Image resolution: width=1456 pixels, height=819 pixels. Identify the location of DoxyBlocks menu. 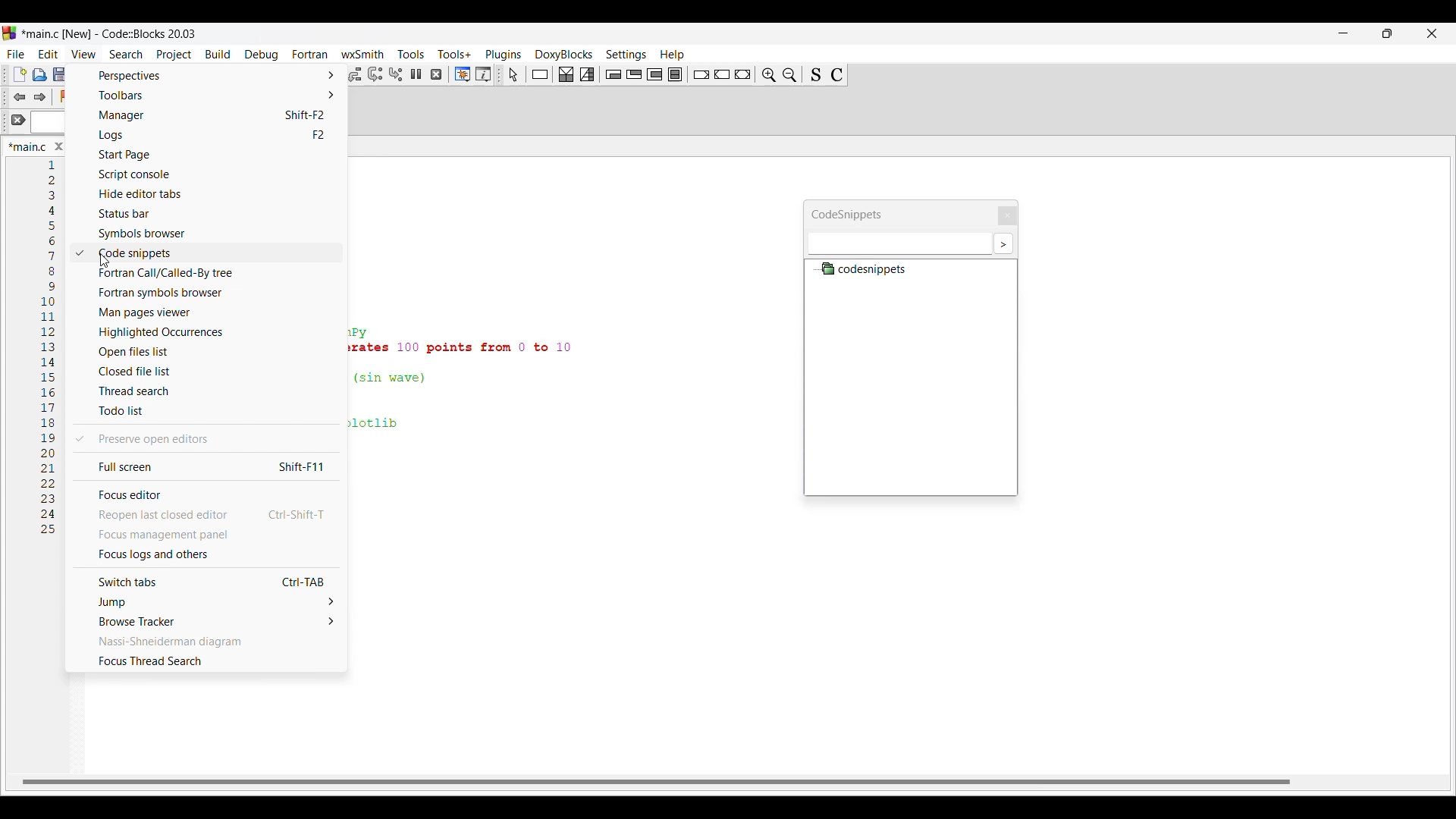
(563, 55).